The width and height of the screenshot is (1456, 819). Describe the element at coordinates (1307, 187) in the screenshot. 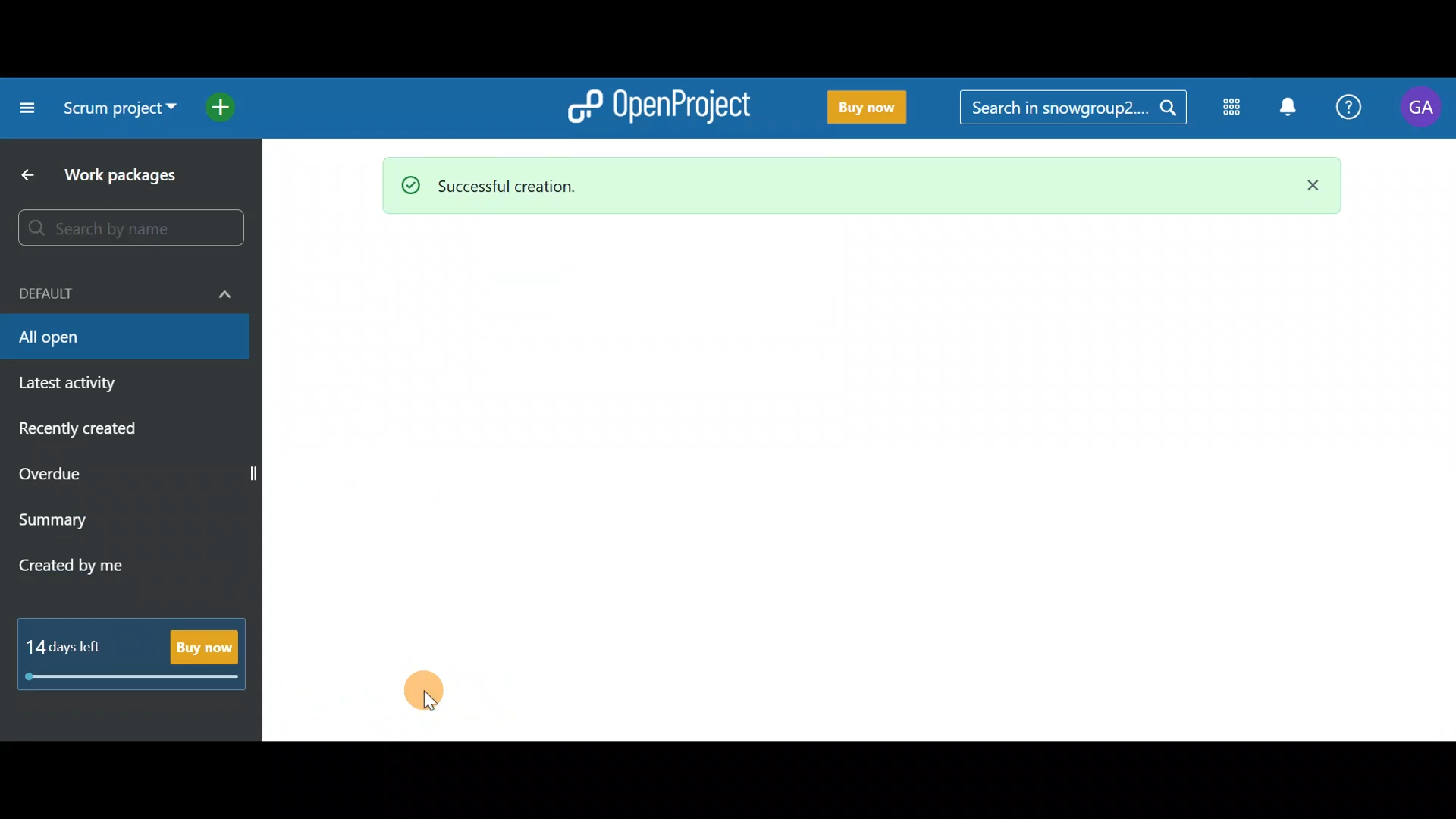

I see `Close` at that location.